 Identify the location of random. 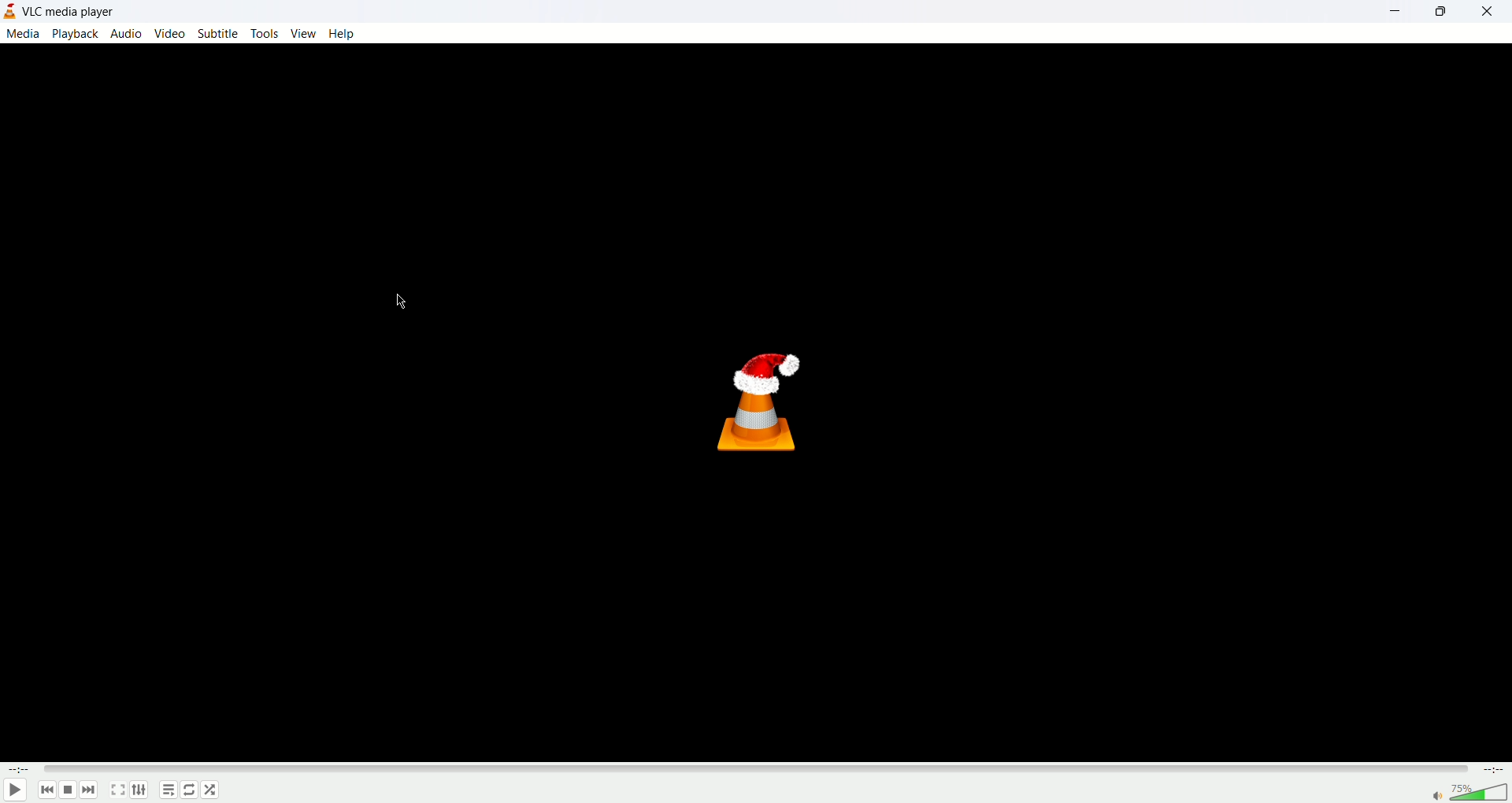
(210, 791).